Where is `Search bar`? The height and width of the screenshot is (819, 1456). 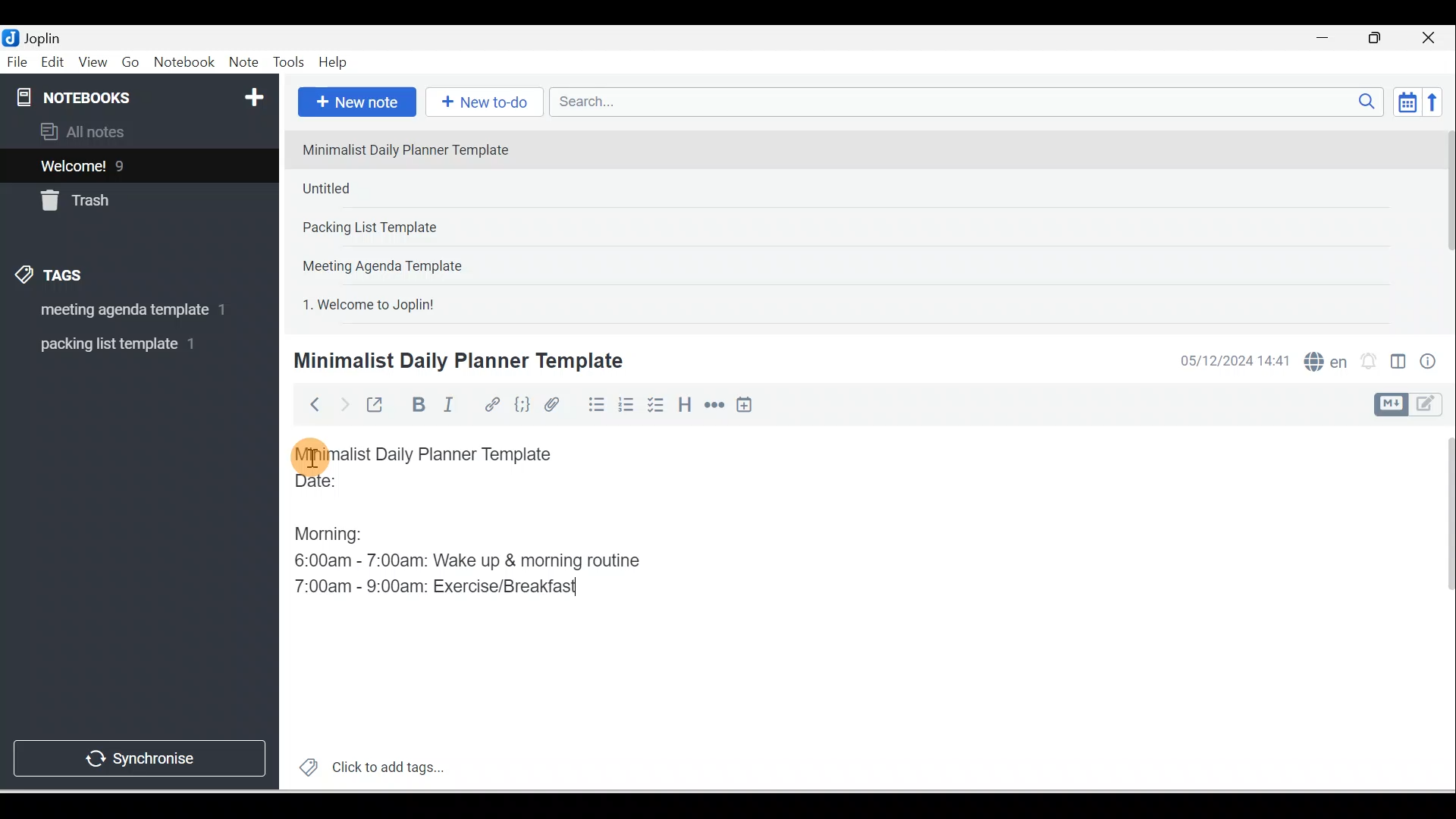
Search bar is located at coordinates (971, 102).